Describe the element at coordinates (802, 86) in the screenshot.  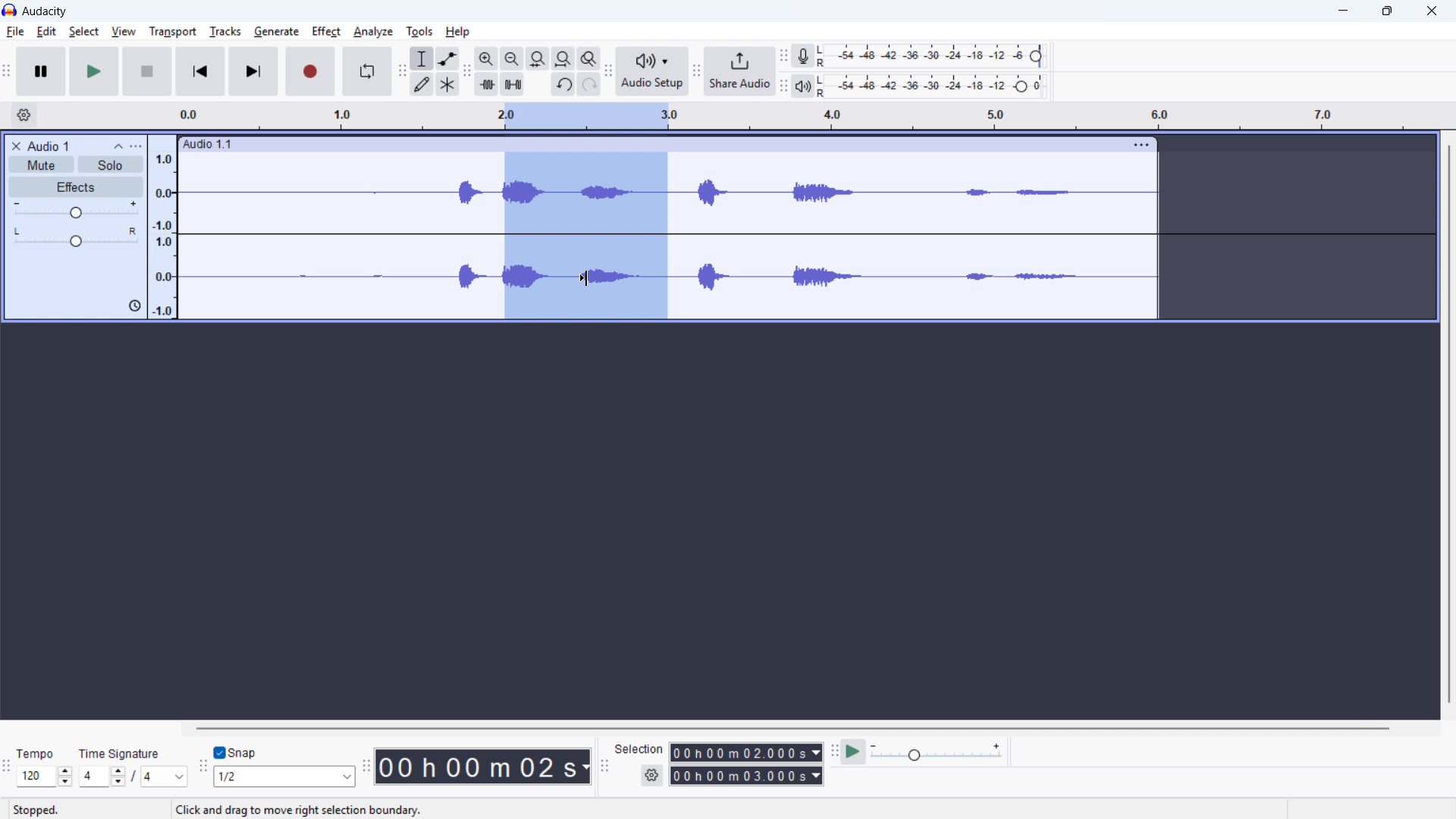
I see `playback metre` at that location.